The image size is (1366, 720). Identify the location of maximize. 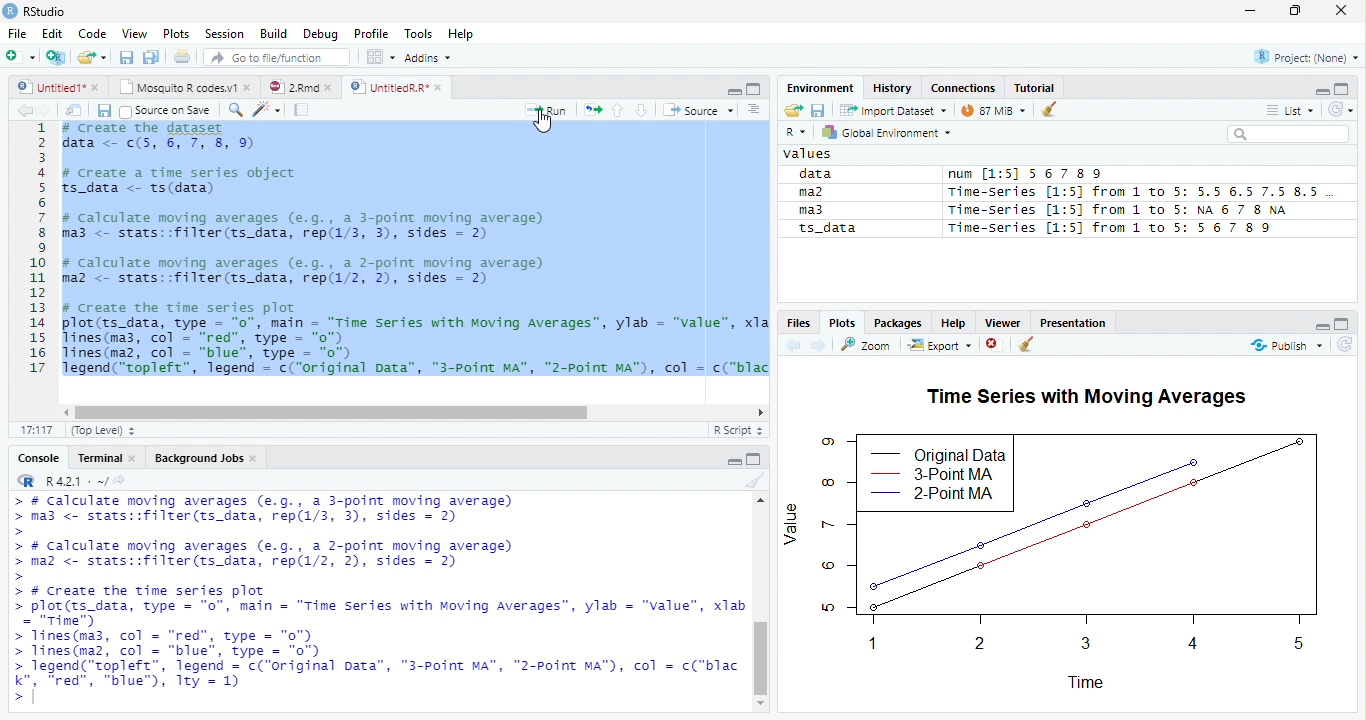
(1342, 88).